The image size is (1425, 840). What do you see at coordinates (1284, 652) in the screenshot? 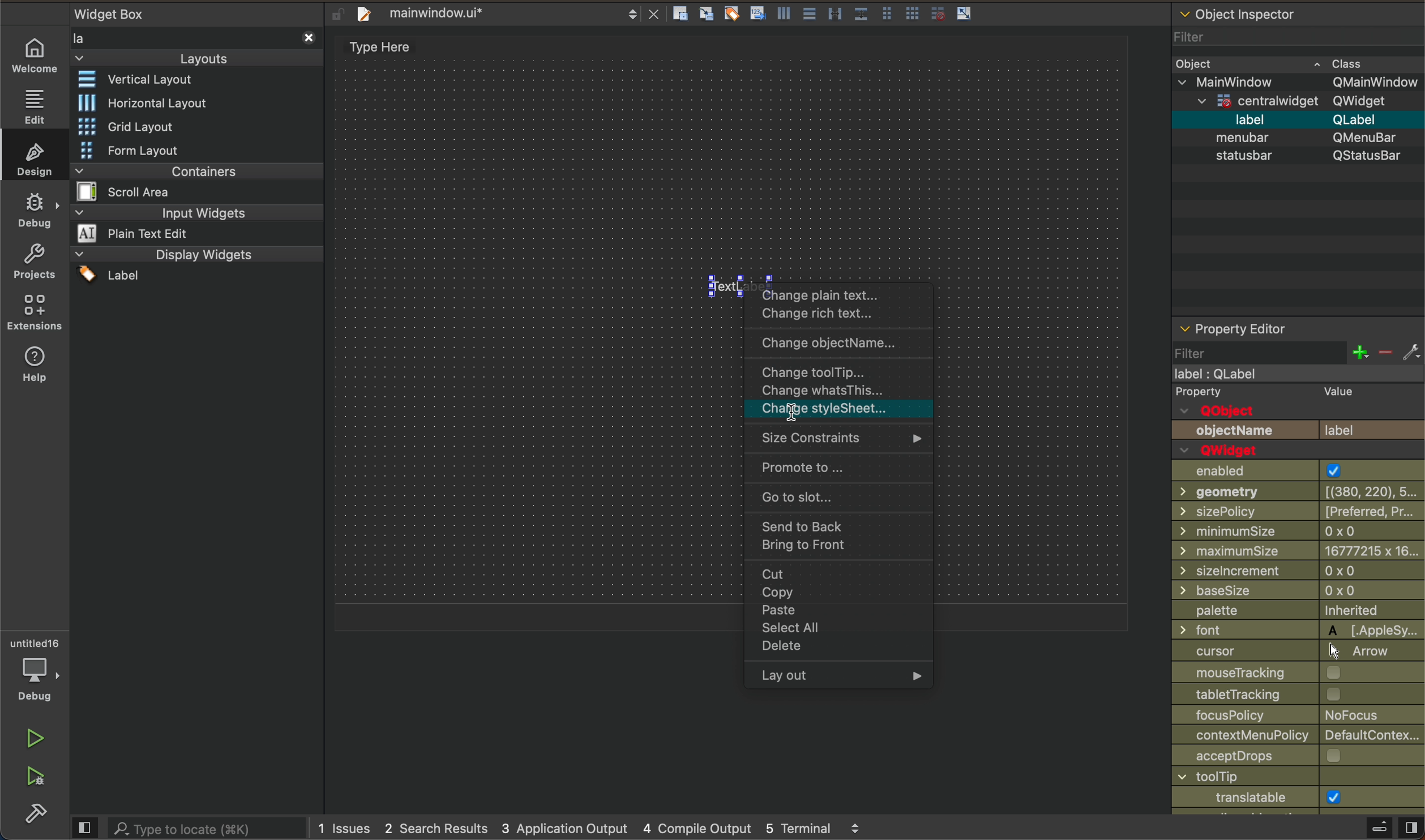
I see `cursor` at bounding box center [1284, 652].